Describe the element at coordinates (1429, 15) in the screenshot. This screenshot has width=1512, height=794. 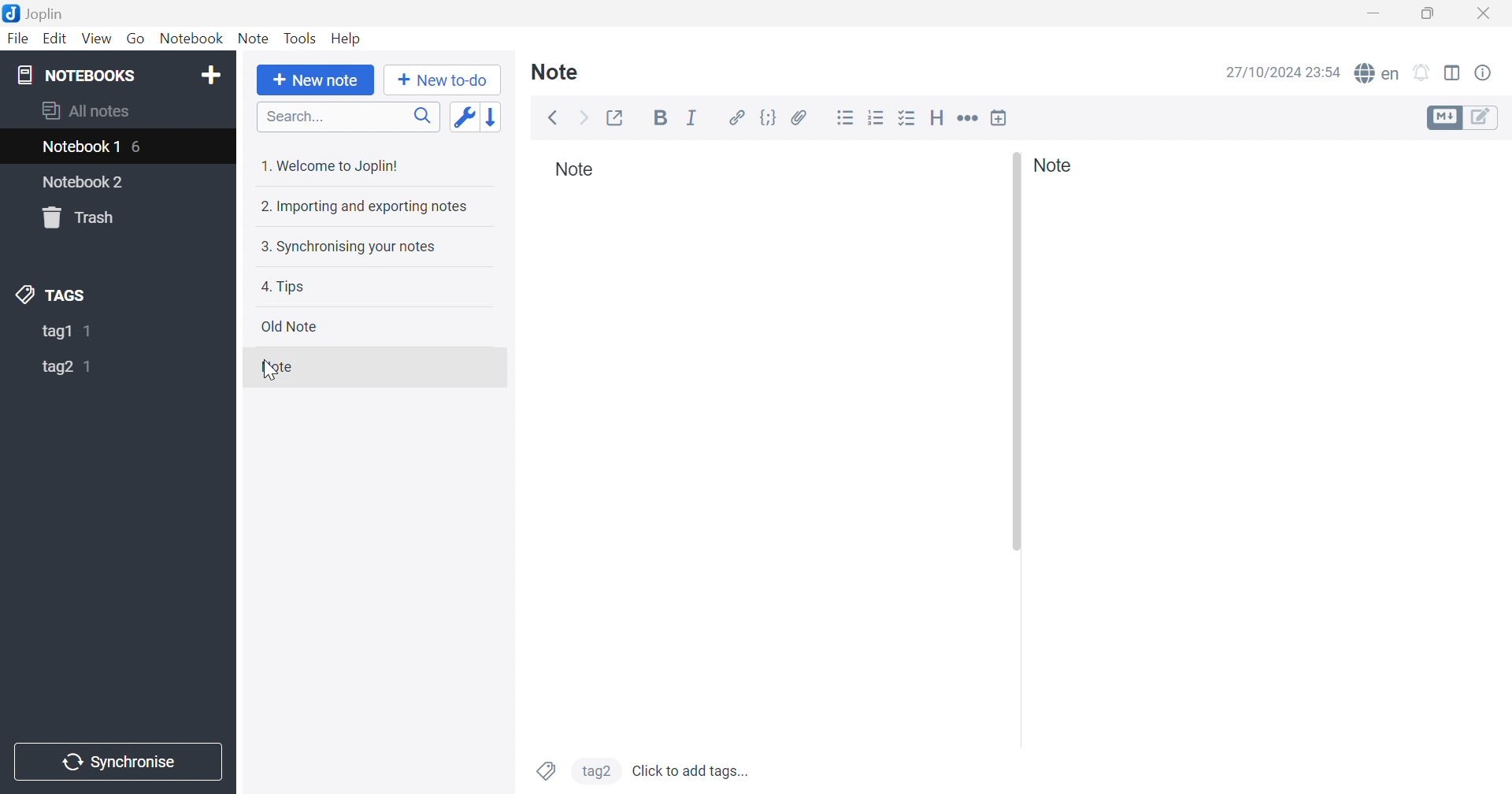
I see `Restore down` at that location.